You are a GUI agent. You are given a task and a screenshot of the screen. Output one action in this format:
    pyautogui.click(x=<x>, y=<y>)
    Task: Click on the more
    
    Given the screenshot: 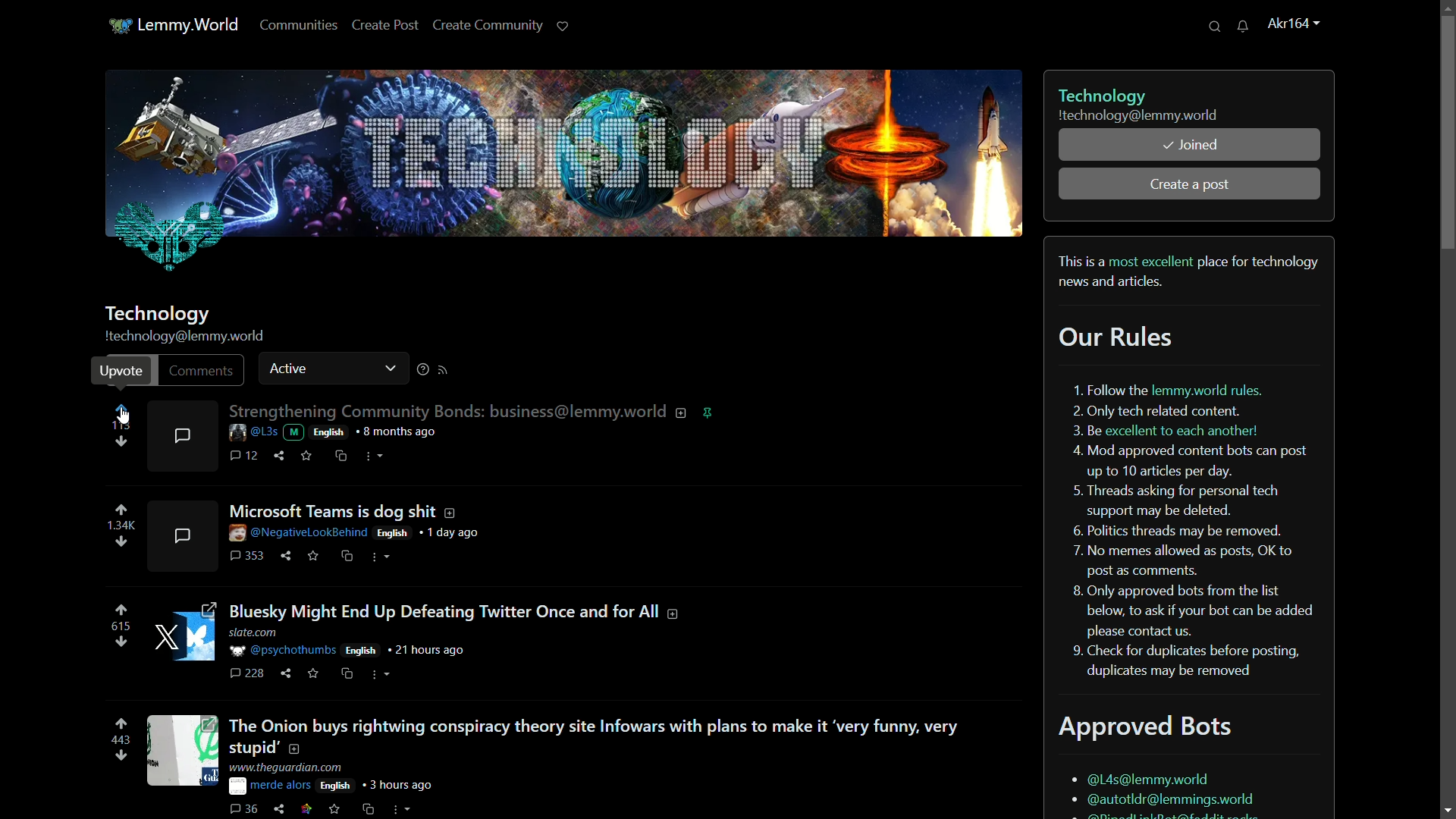 What is the action you would take?
    pyautogui.click(x=376, y=455)
    